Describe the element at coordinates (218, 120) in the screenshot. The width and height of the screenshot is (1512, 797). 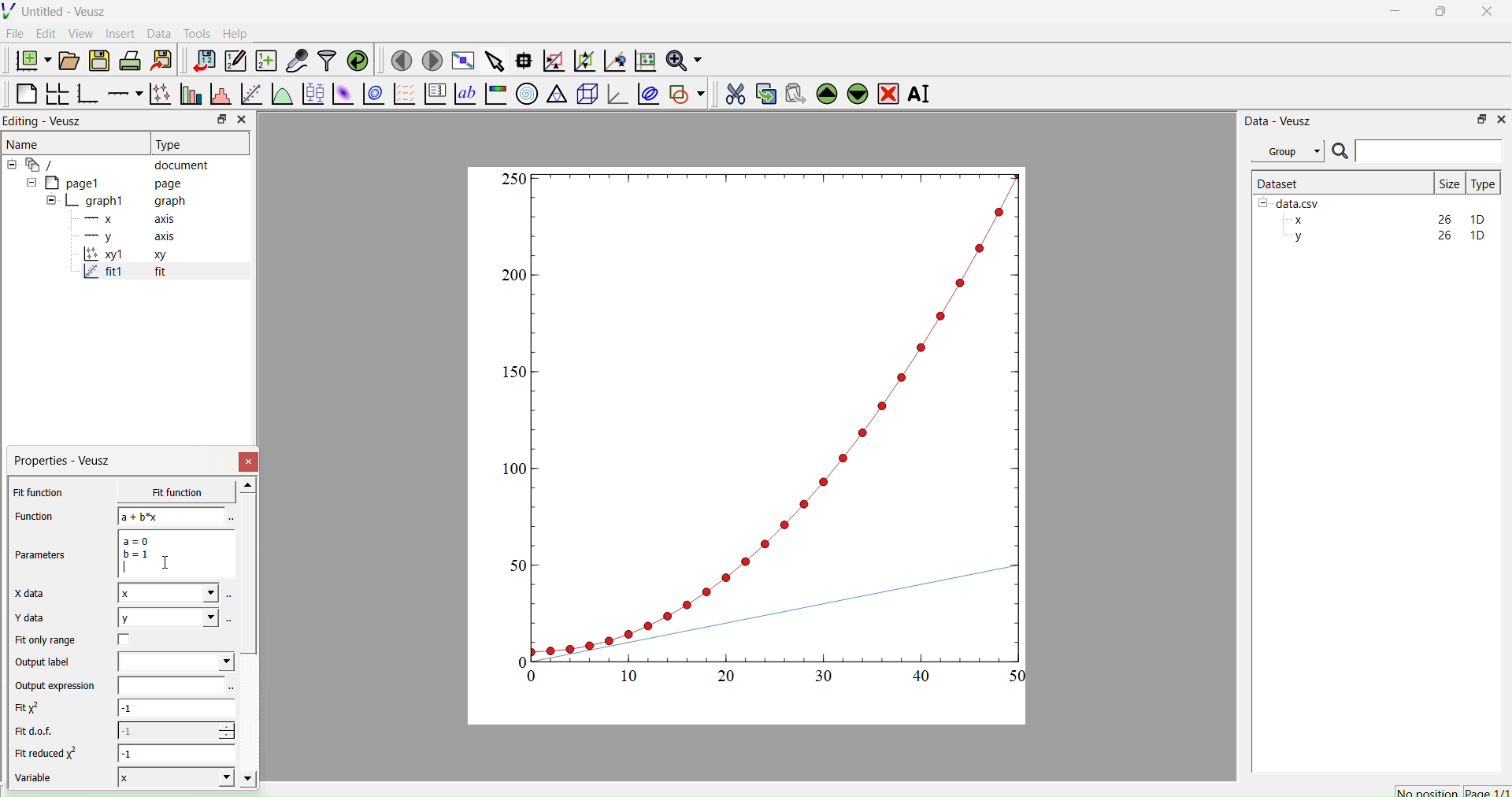
I see `Restore down` at that location.